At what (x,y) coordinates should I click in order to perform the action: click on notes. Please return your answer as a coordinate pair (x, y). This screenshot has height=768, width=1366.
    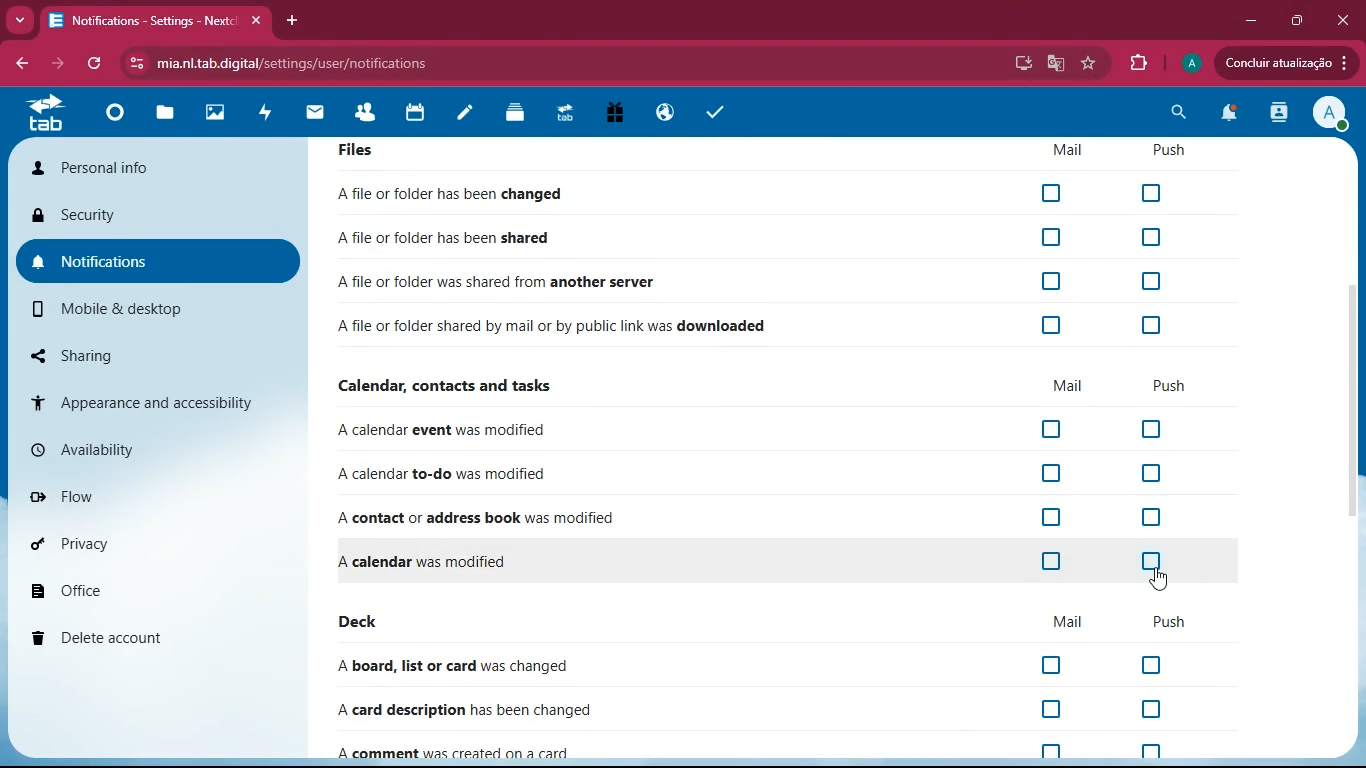
    Looking at the image, I should click on (470, 115).